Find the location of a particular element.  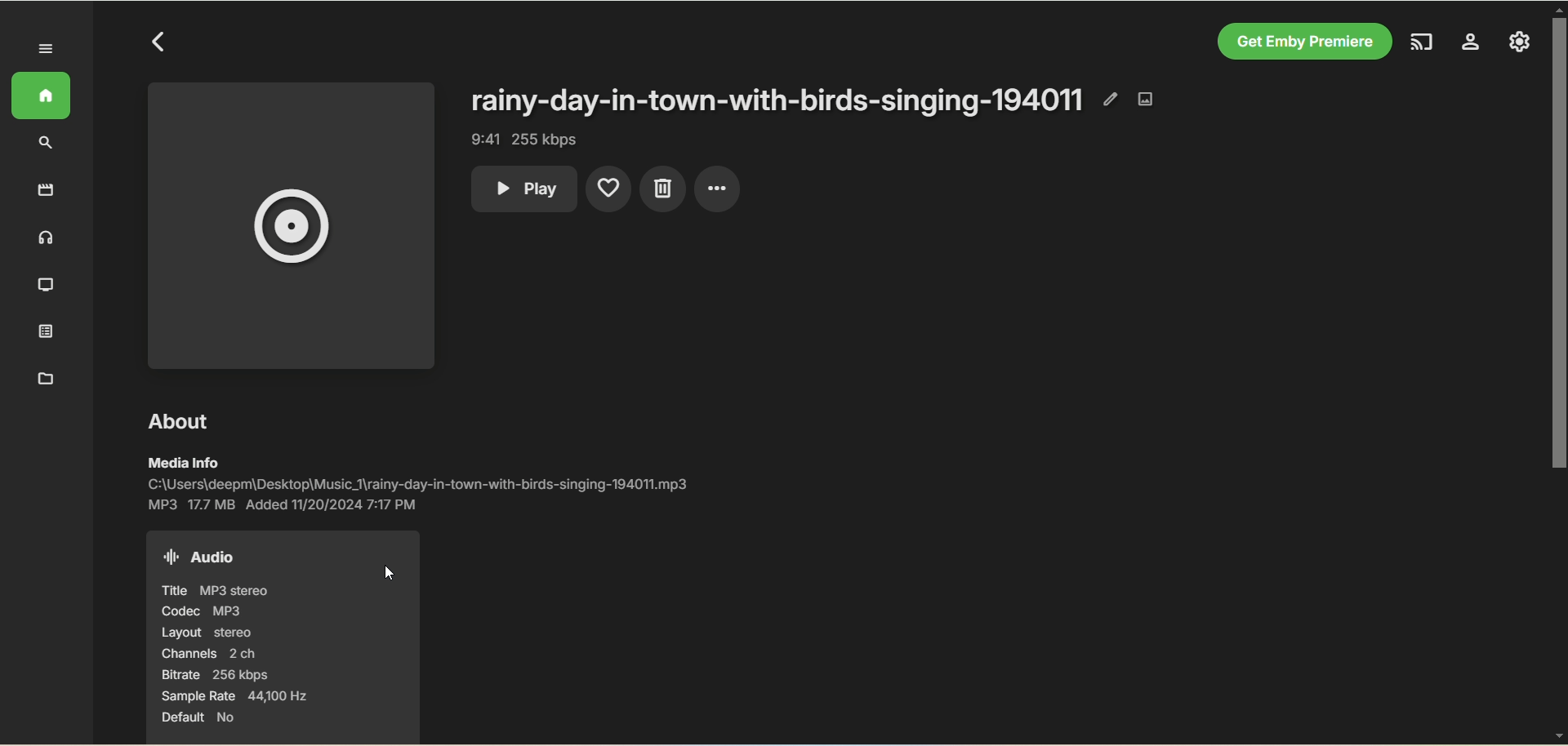

C:\Users\deepm\Desktop\Music_1\rainy-day-in-town-with-birds-singing-194011.mp3 is located at coordinates (420, 484).